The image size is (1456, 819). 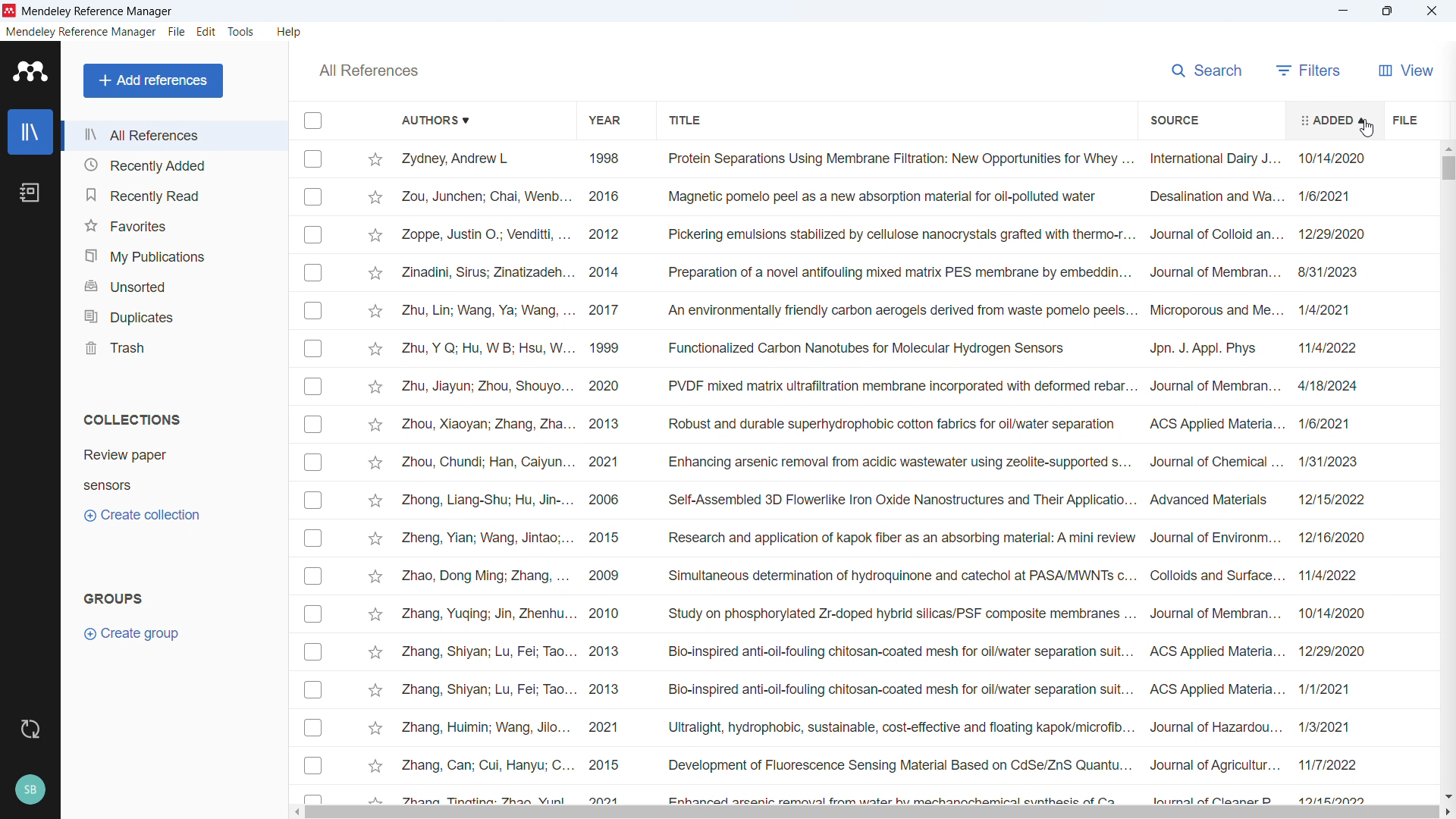 What do you see at coordinates (174, 224) in the screenshot?
I see `Favourites ` at bounding box center [174, 224].